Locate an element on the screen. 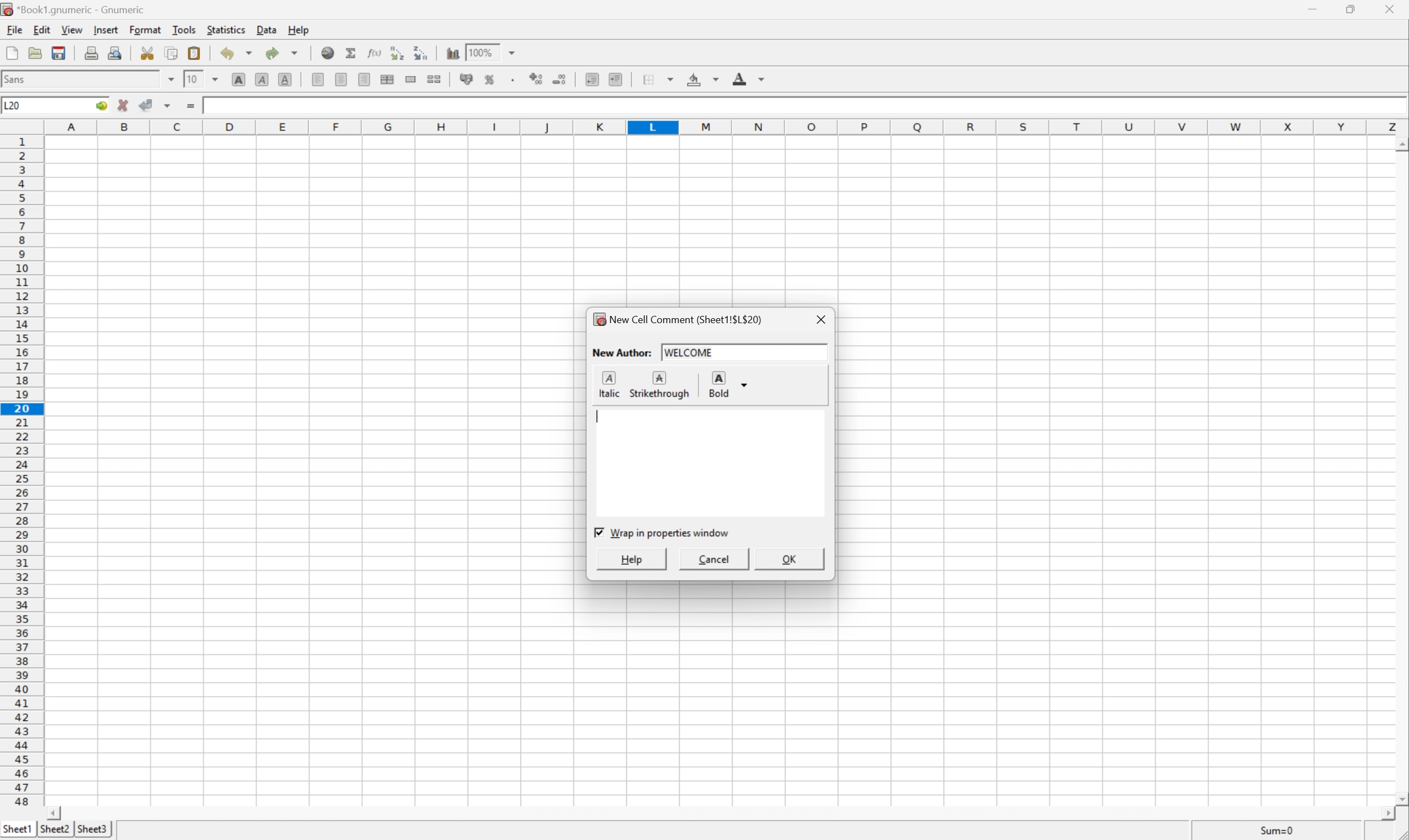 Image resolution: width=1409 pixels, height=840 pixels. Bold is located at coordinates (720, 384).